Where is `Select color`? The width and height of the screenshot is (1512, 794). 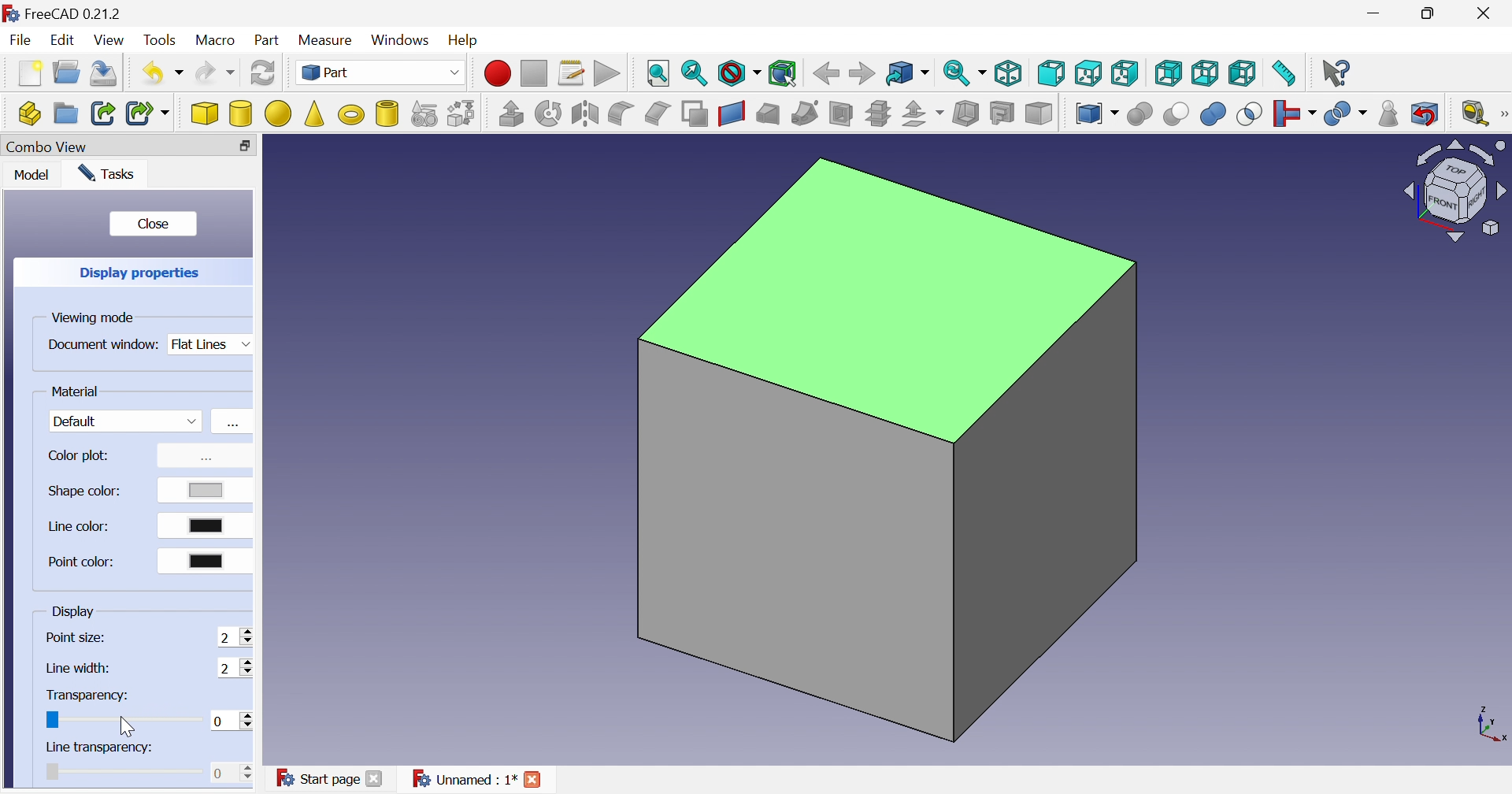 Select color is located at coordinates (207, 560).